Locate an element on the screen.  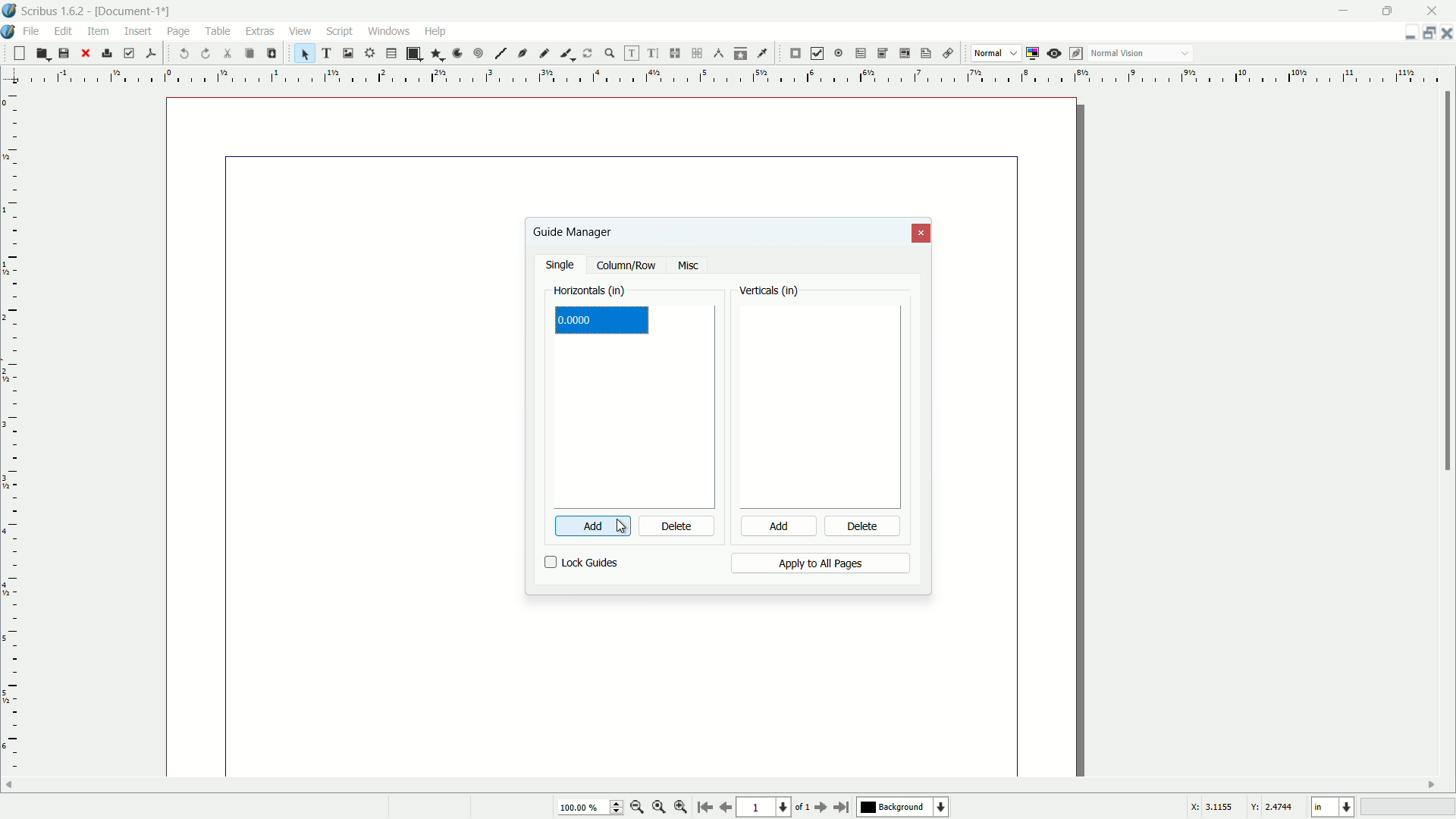
cursor is located at coordinates (629, 528).